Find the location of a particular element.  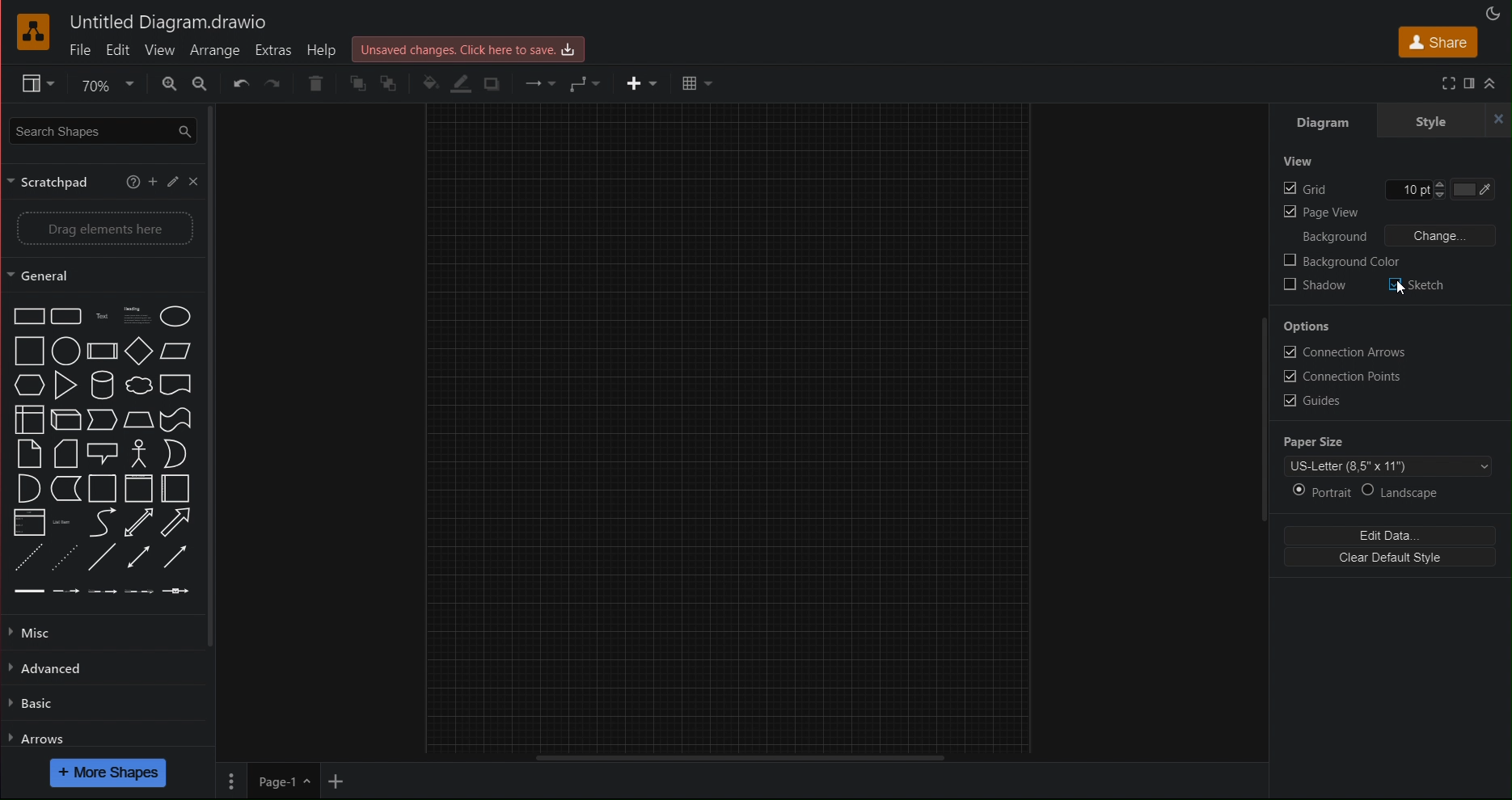

text is located at coordinates (100, 317).